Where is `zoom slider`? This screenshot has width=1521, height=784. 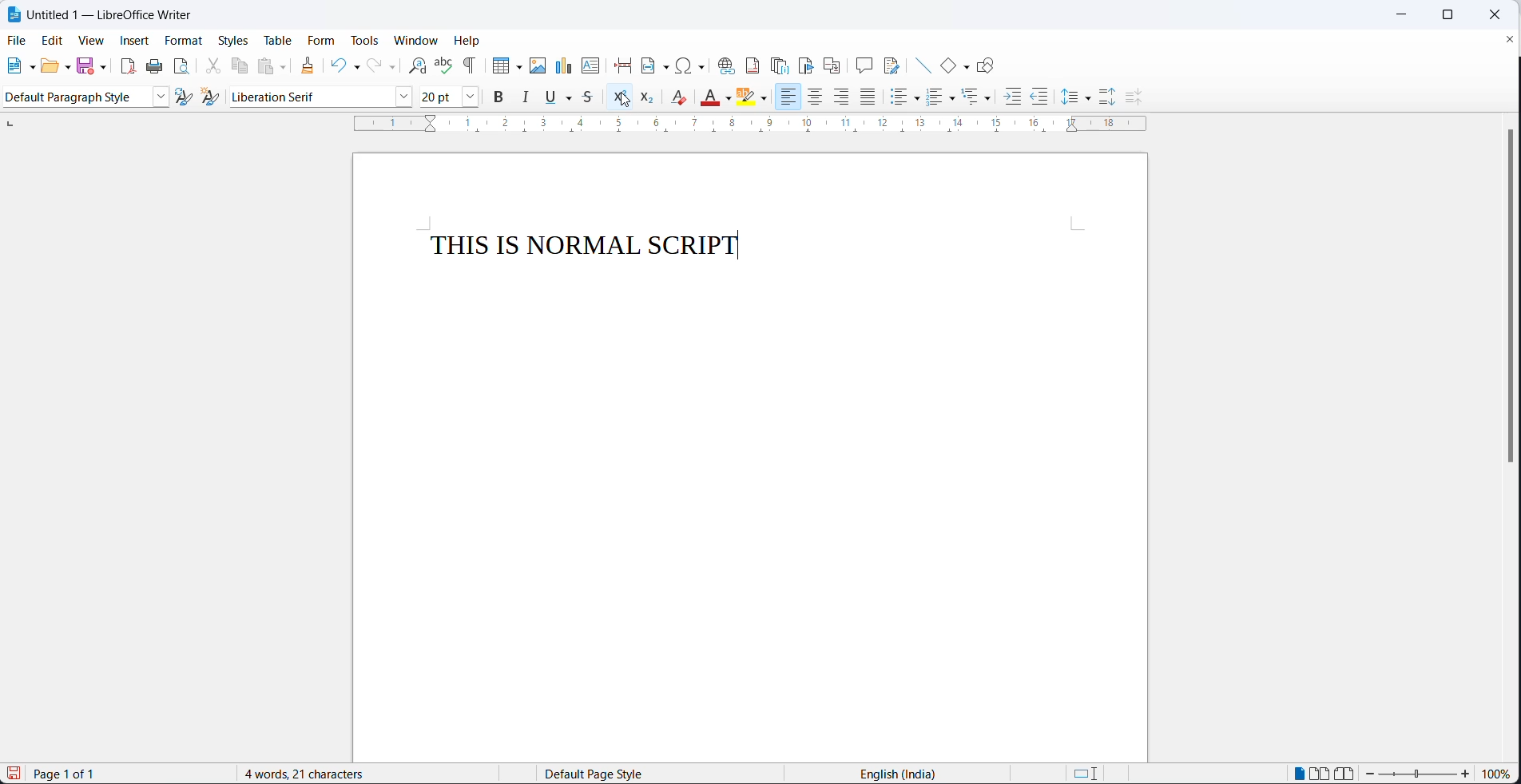
zoom slider is located at coordinates (1419, 776).